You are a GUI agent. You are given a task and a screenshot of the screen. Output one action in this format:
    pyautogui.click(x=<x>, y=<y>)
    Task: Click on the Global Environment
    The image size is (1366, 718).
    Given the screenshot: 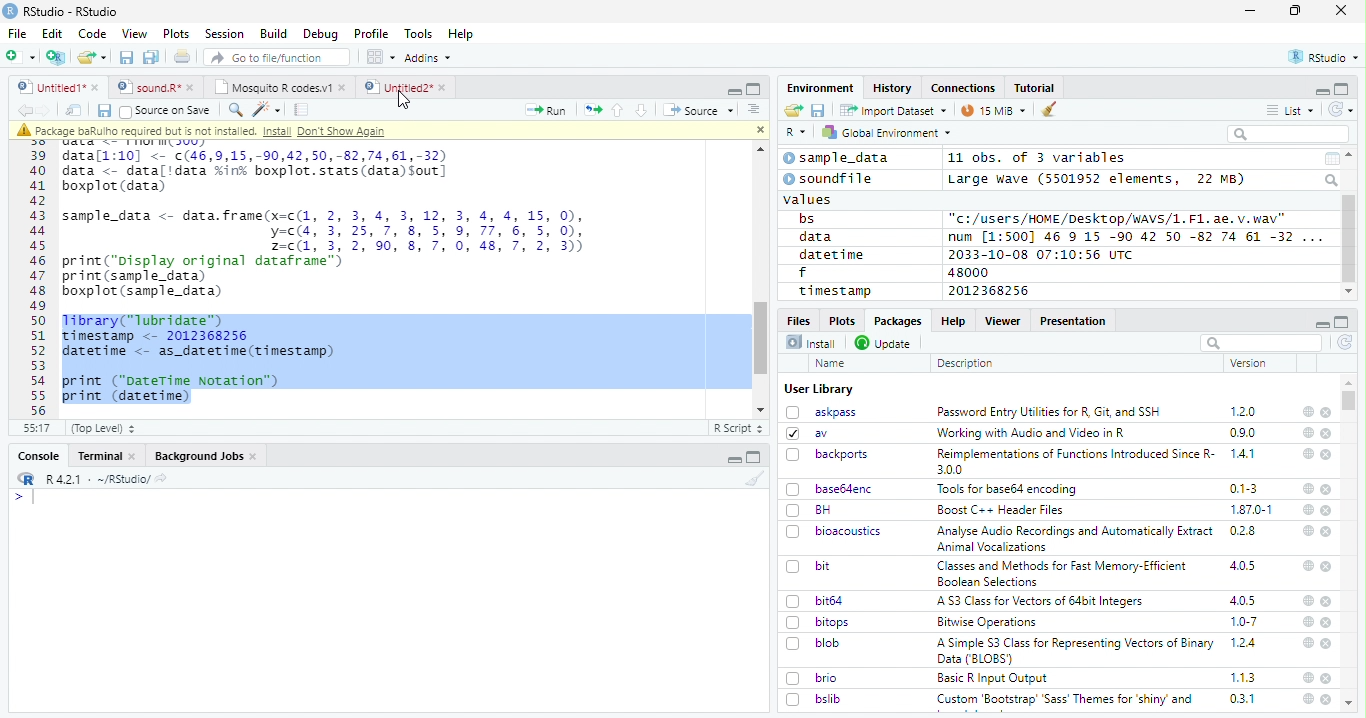 What is the action you would take?
    pyautogui.click(x=888, y=131)
    